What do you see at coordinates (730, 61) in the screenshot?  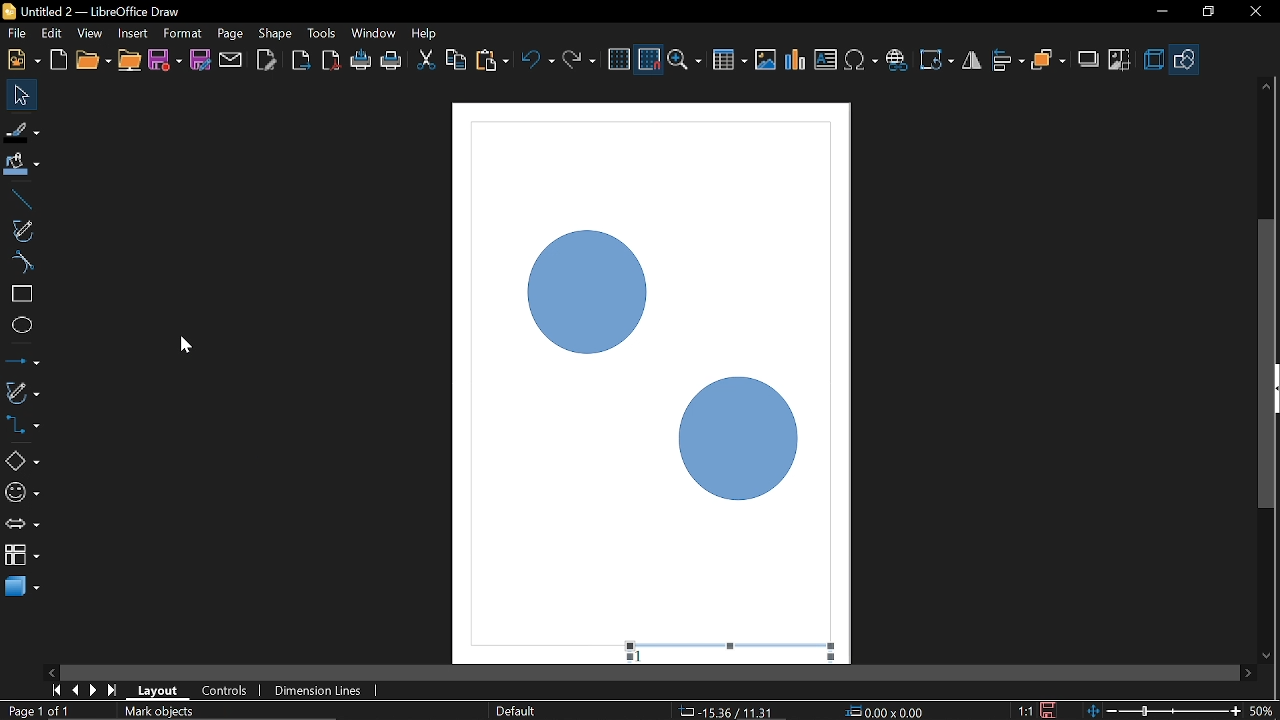 I see `Insert table` at bounding box center [730, 61].